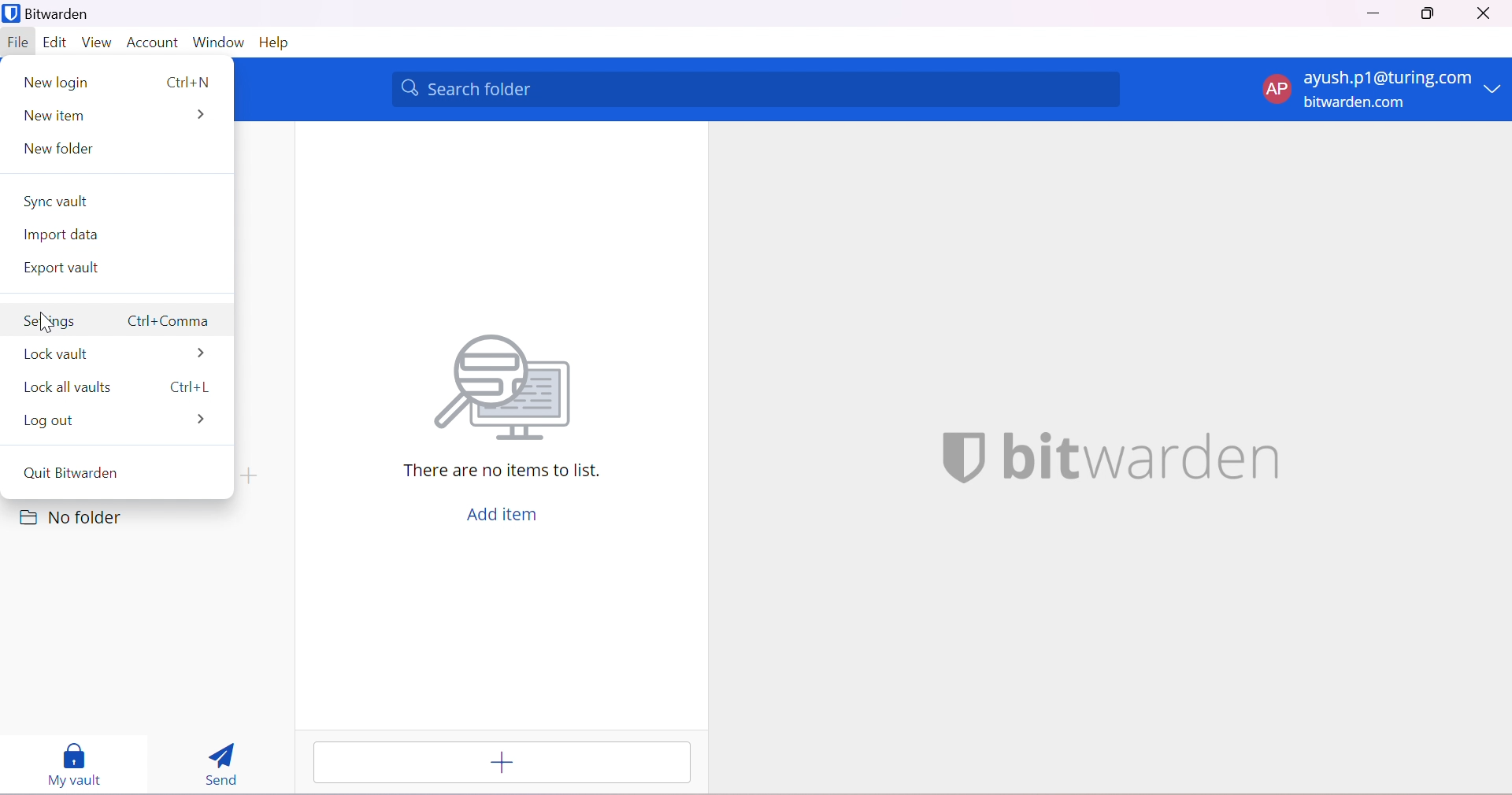 The image size is (1512, 795). I want to click on Restore Down, so click(1429, 15).